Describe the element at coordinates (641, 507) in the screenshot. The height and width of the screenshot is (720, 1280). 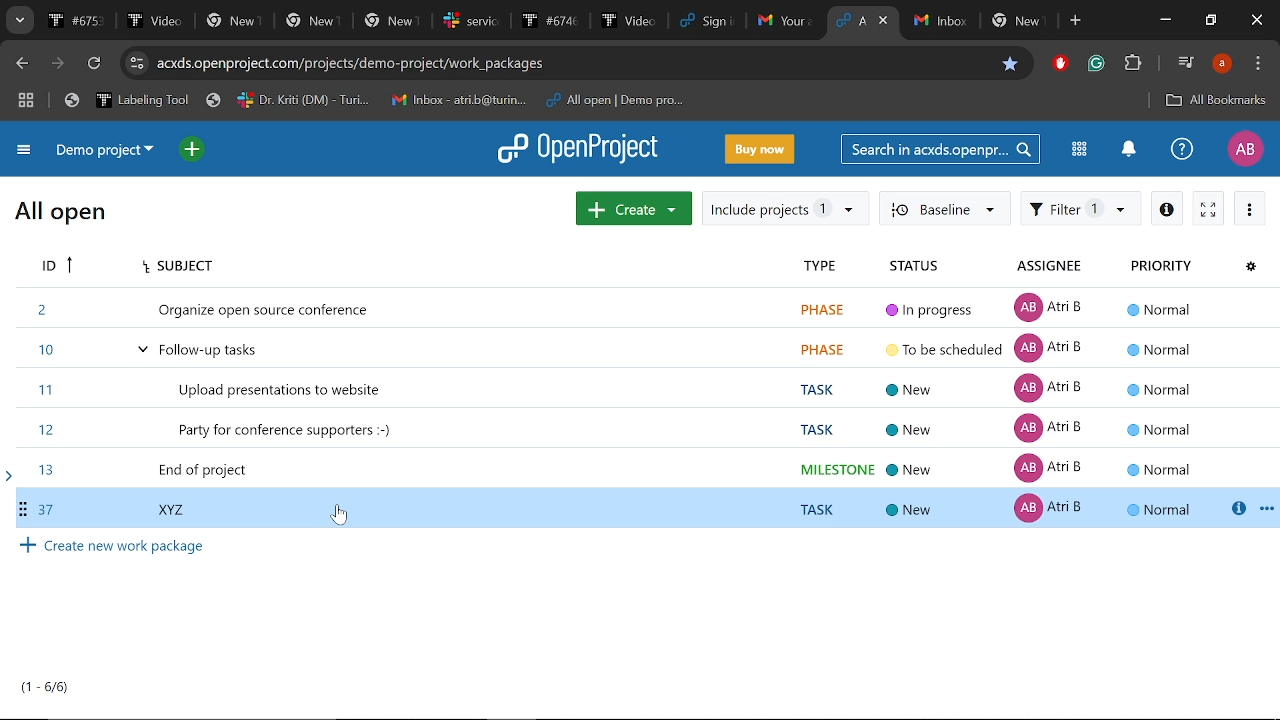
I see `Selected task` at that location.